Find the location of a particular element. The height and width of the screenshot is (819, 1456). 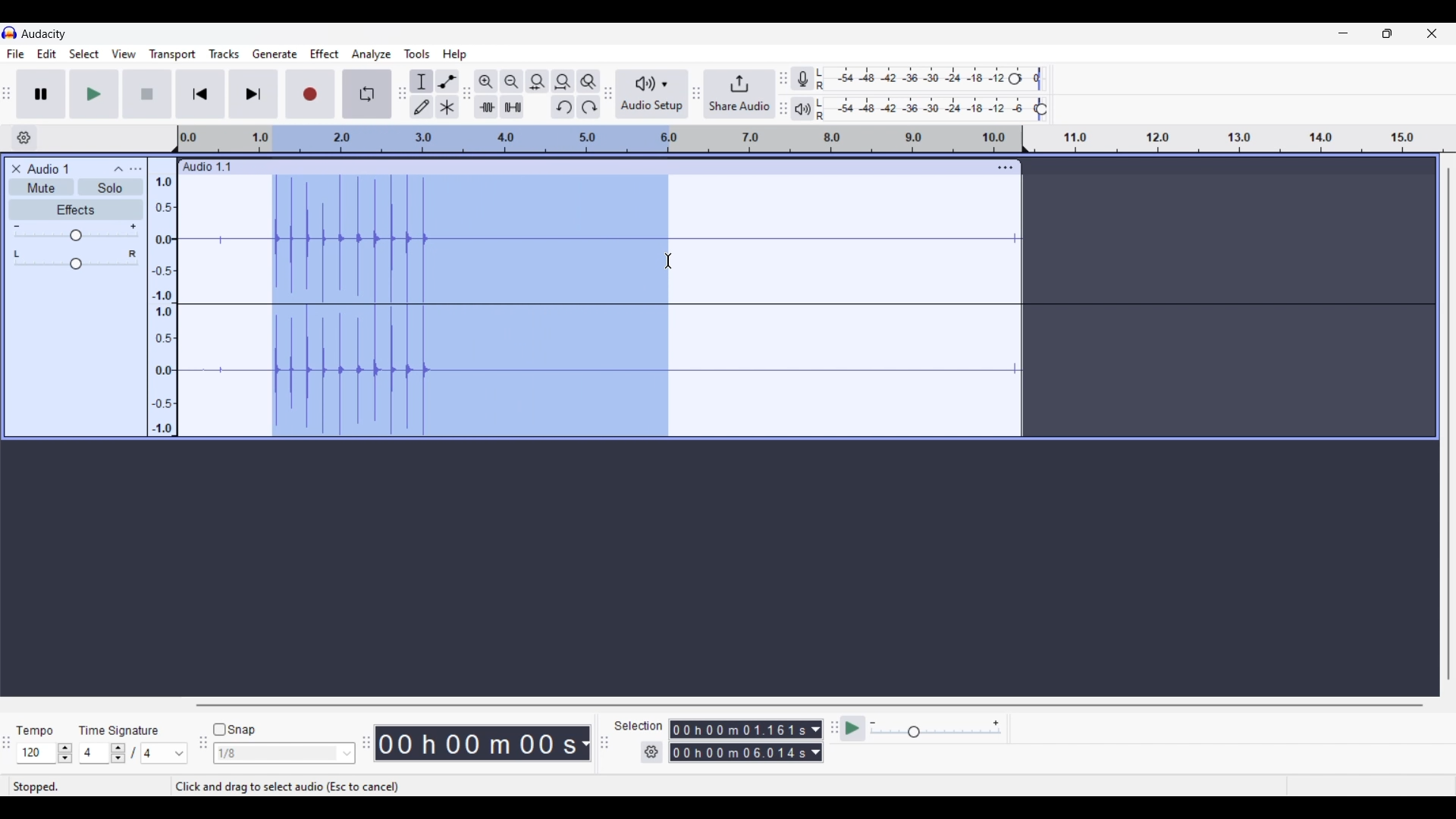

Audio setup is located at coordinates (653, 94).